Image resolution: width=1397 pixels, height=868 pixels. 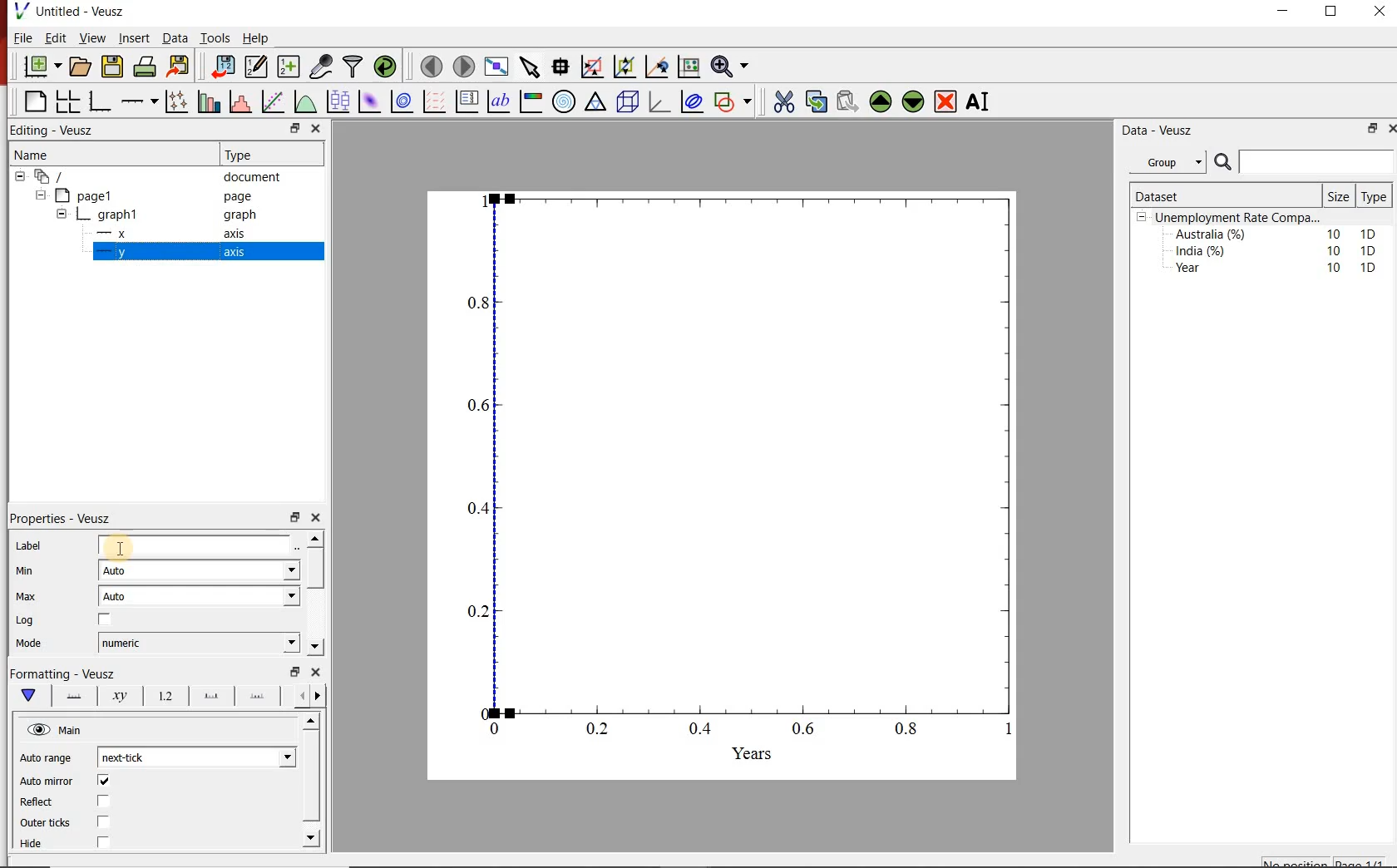 What do you see at coordinates (693, 101) in the screenshot?
I see `plot covariance ellipses` at bounding box center [693, 101].